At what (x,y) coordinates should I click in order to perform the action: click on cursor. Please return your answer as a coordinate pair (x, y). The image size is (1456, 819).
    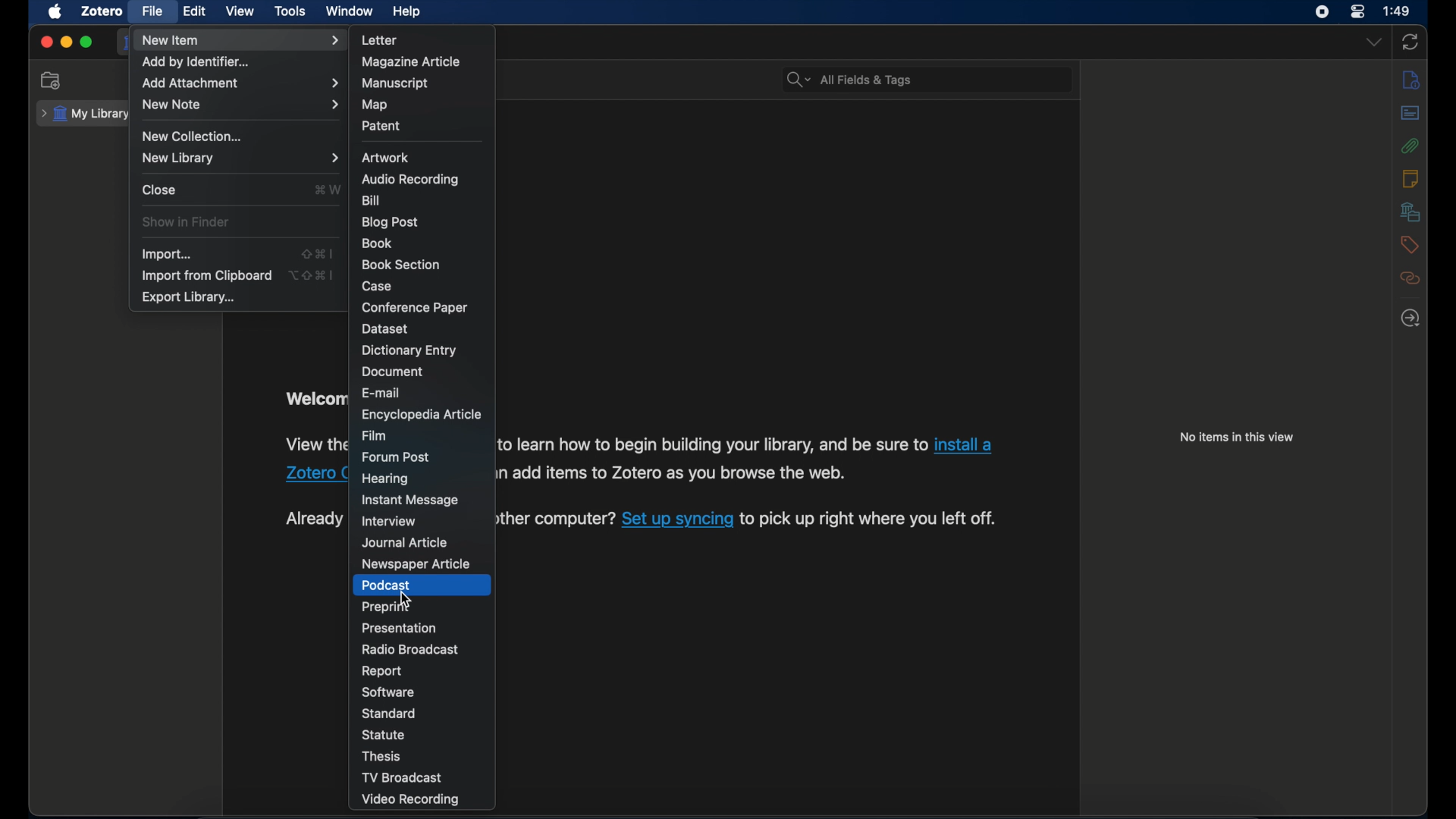
    Looking at the image, I should click on (404, 598).